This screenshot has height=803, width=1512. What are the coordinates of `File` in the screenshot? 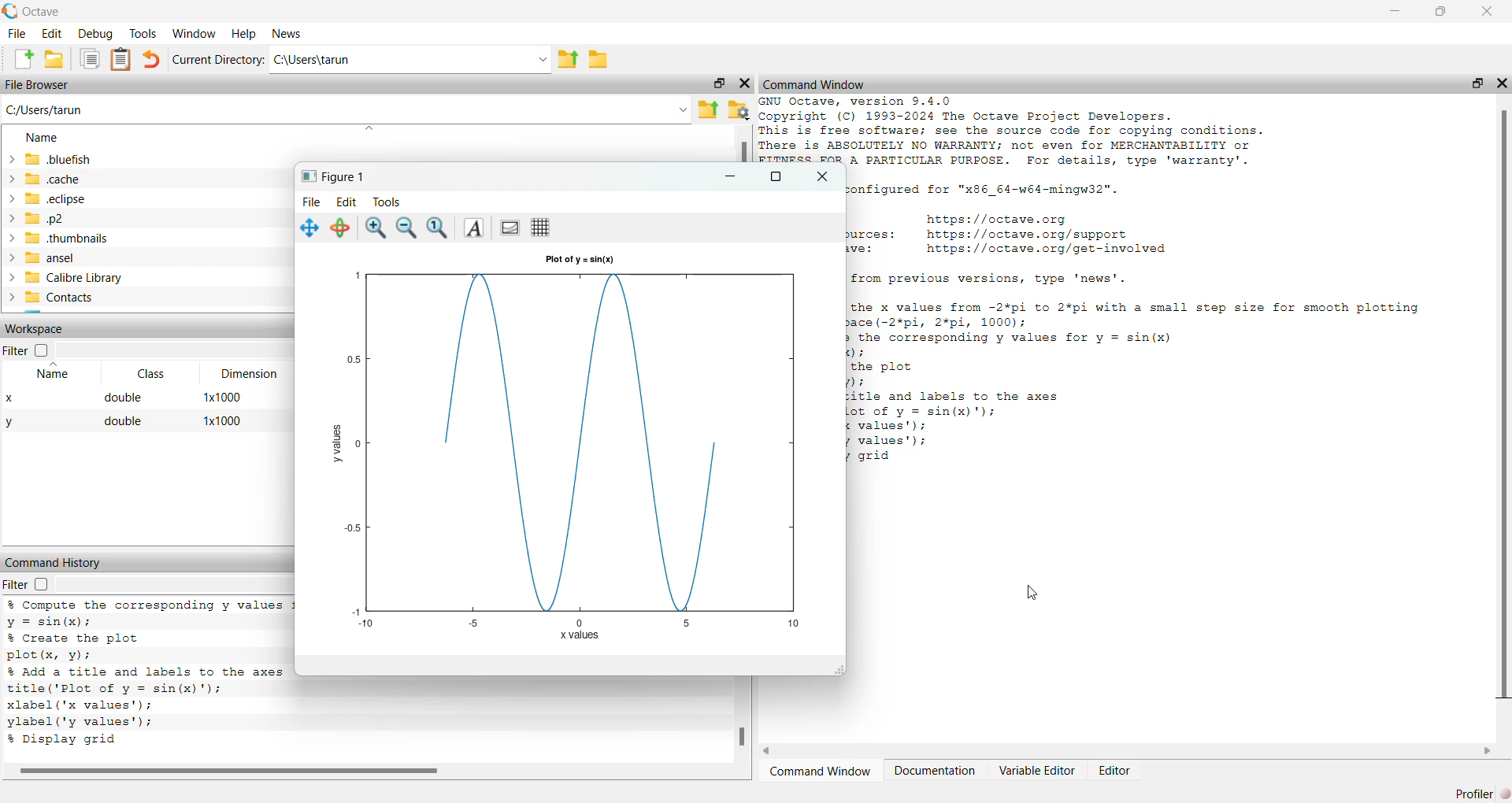 It's located at (17, 33).